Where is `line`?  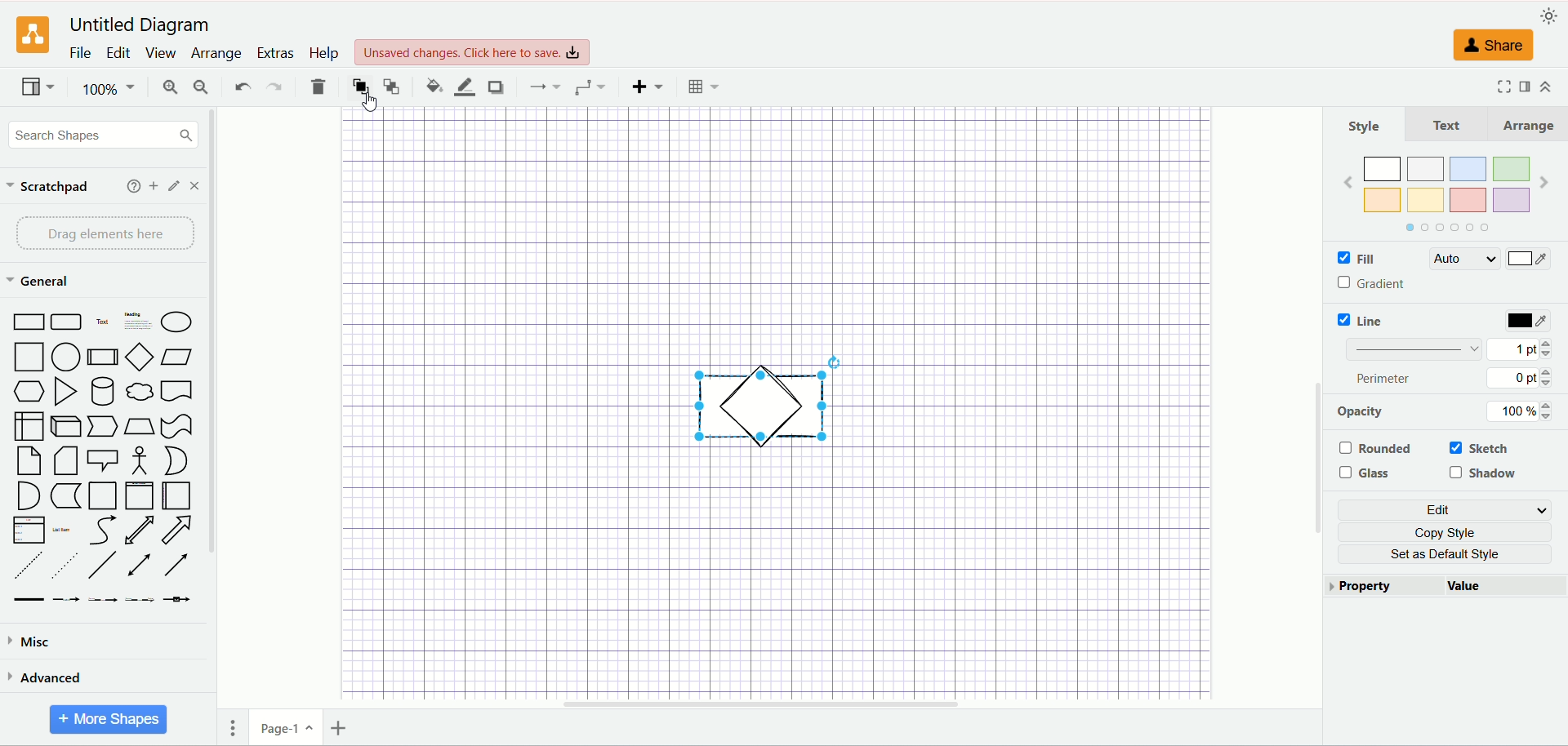 line is located at coordinates (1373, 320).